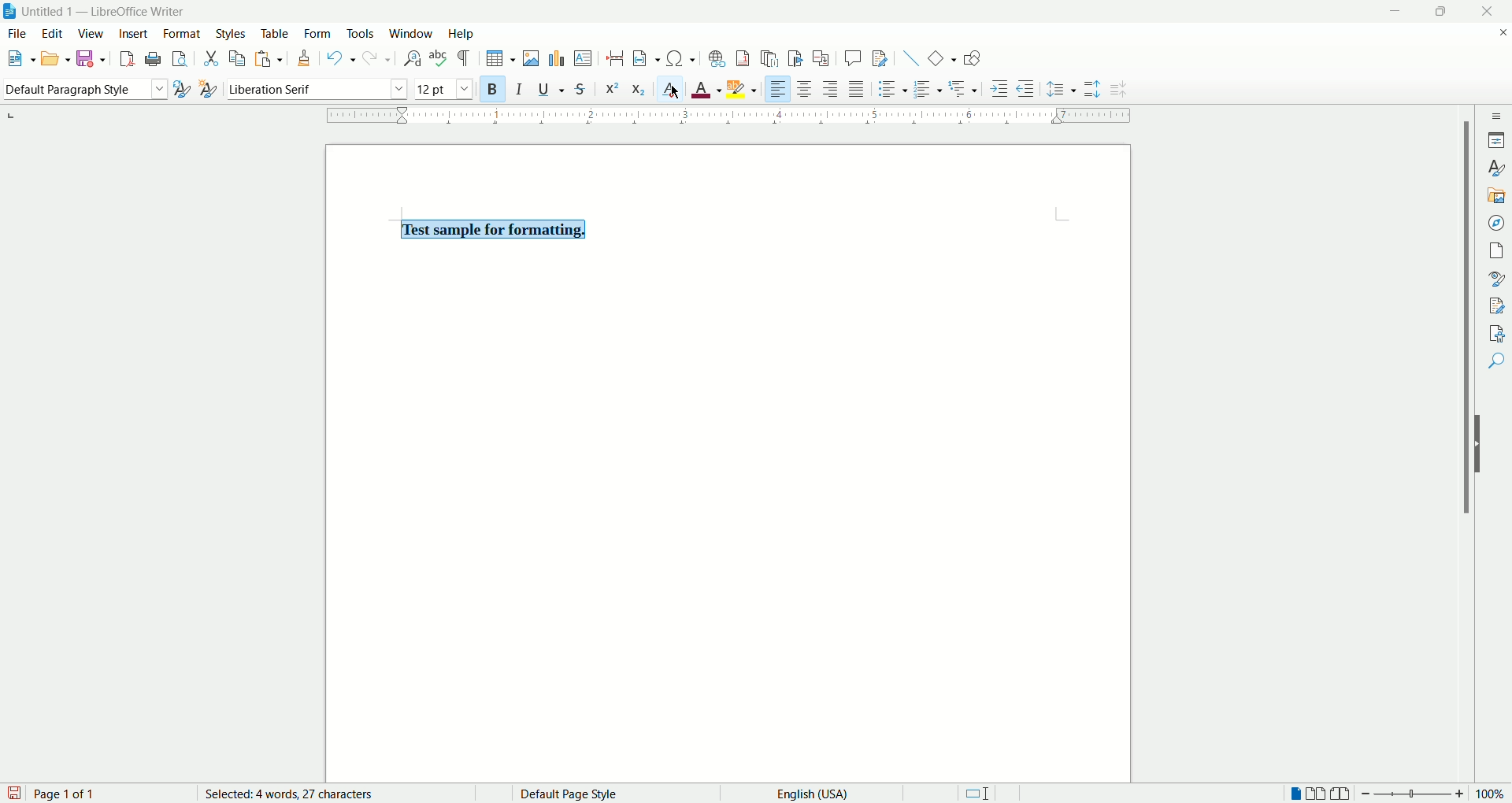  What do you see at coordinates (54, 60) in the screenshot?
I see `open` at bounding box center [54, 60].